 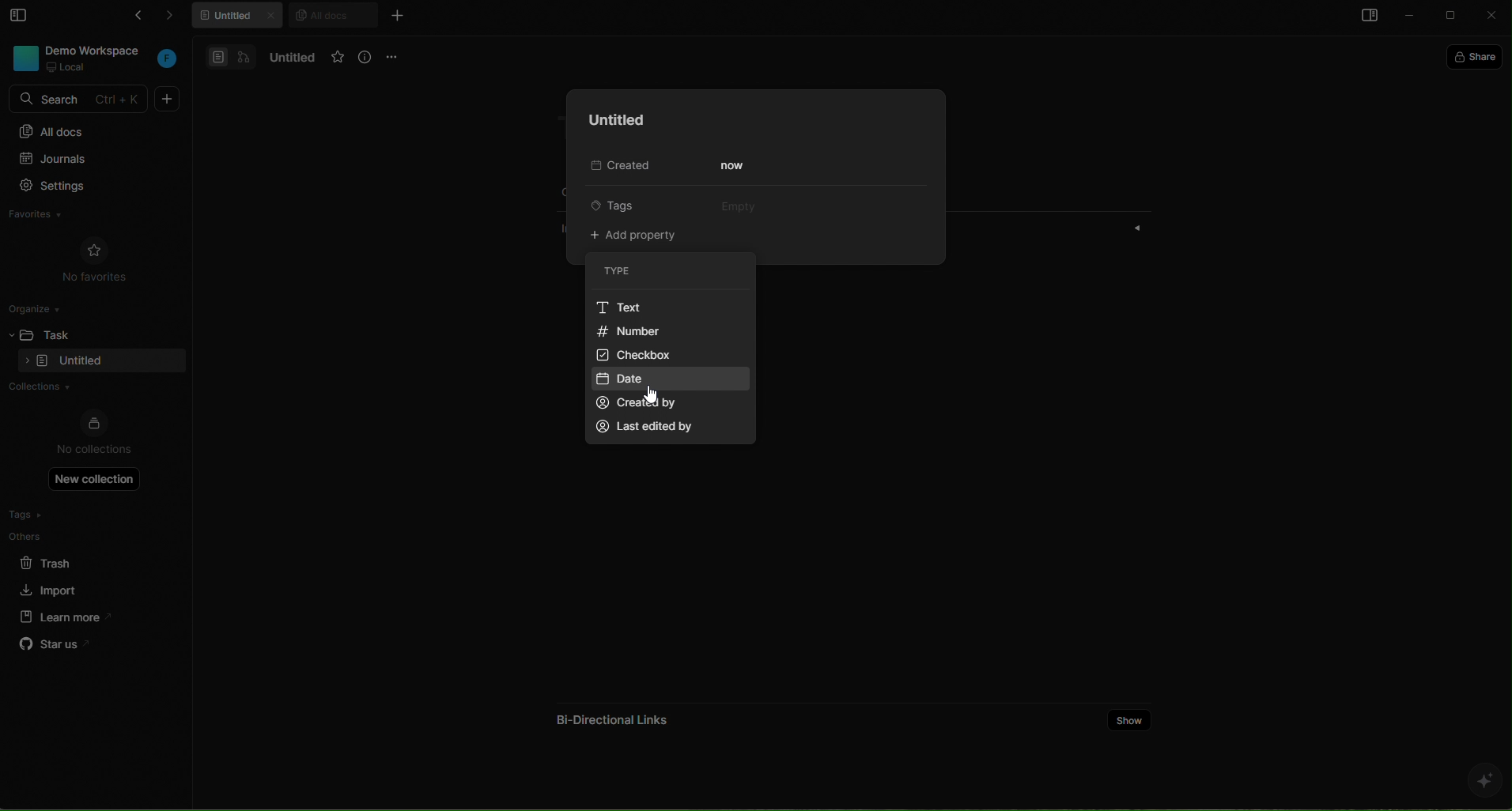 I want to click on workspace photo, so click(x=24, y=57).